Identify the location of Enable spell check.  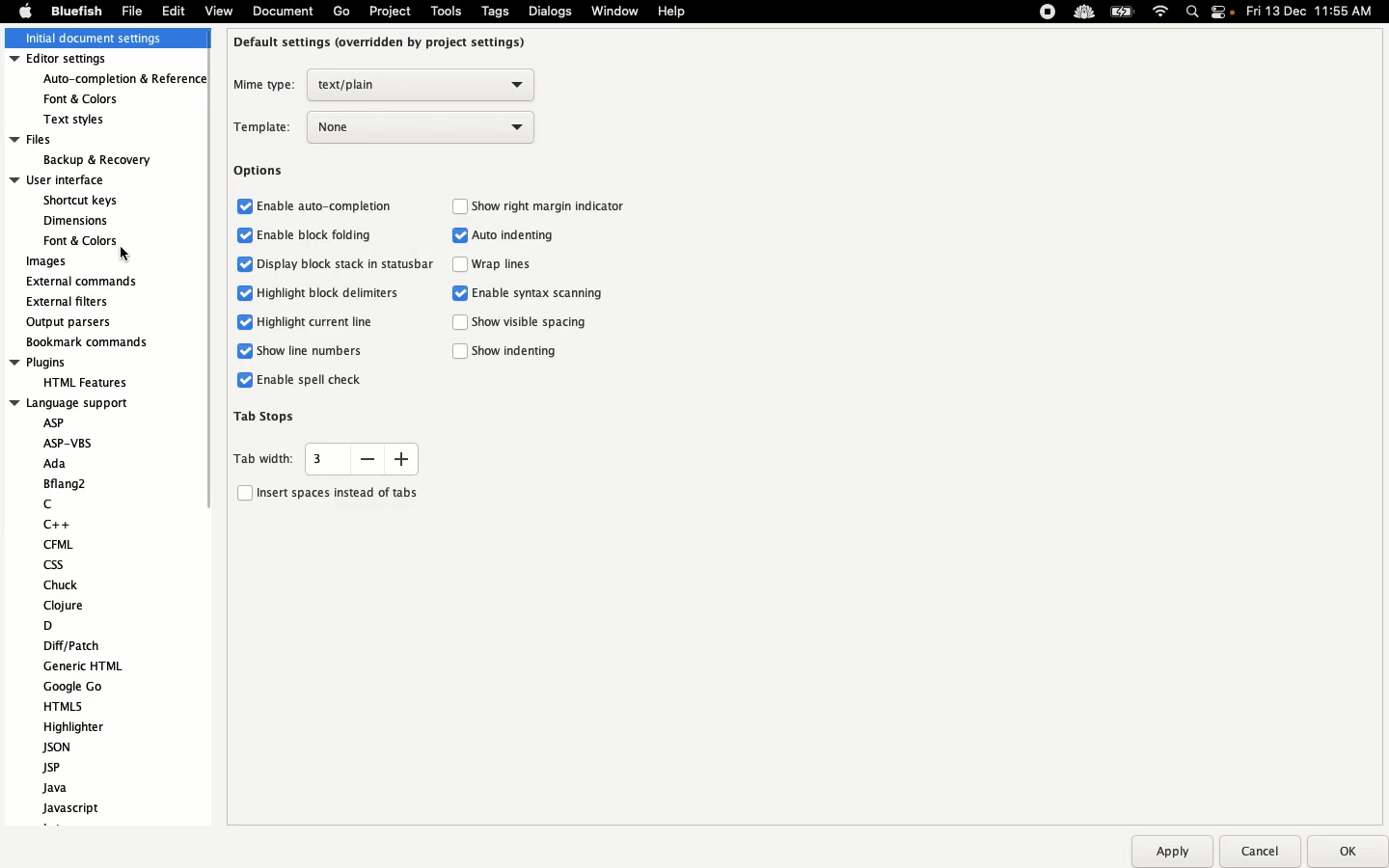
(300, 380).